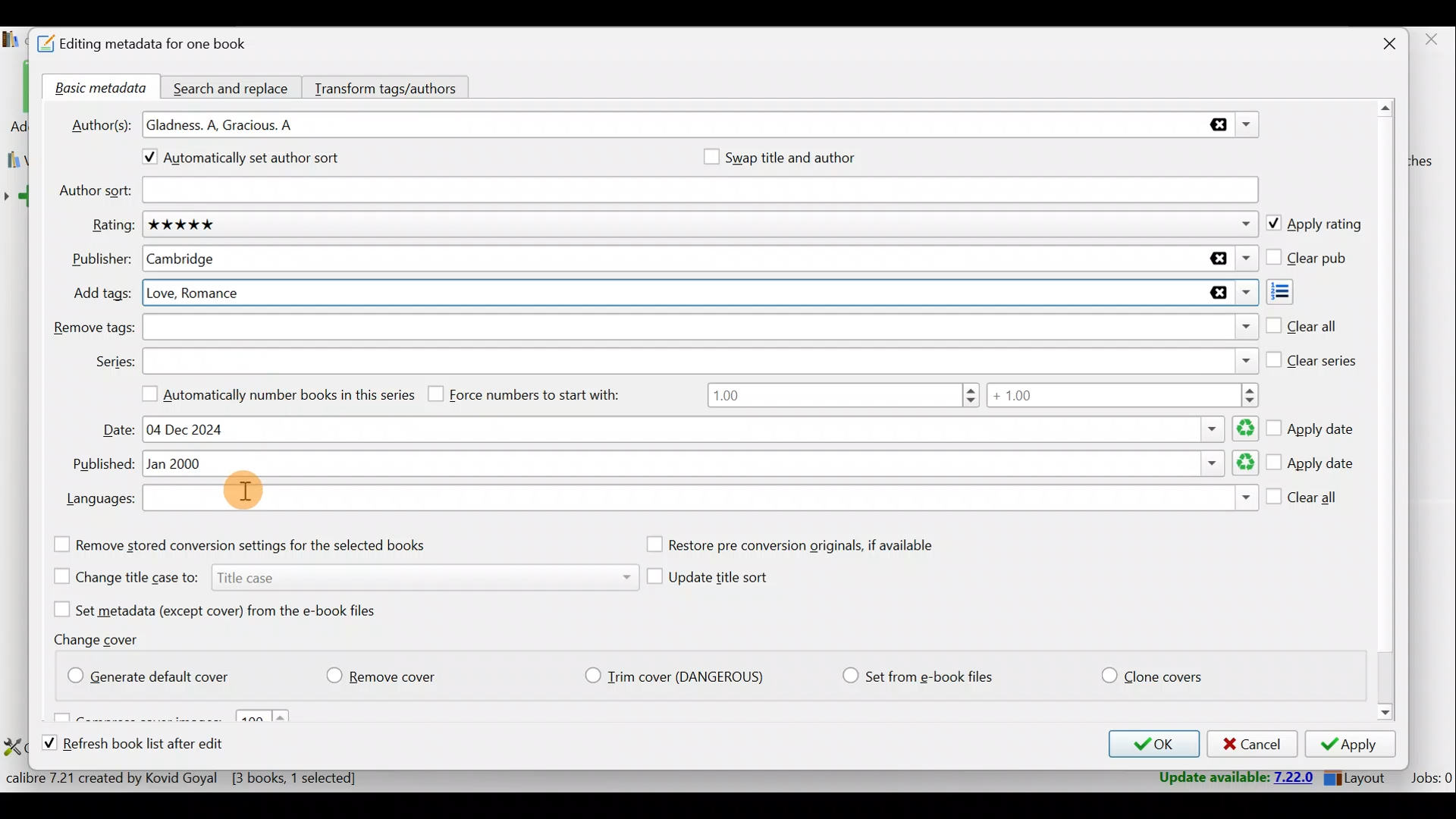  I want to click on Editing metadata for one book, so click(161, 45).